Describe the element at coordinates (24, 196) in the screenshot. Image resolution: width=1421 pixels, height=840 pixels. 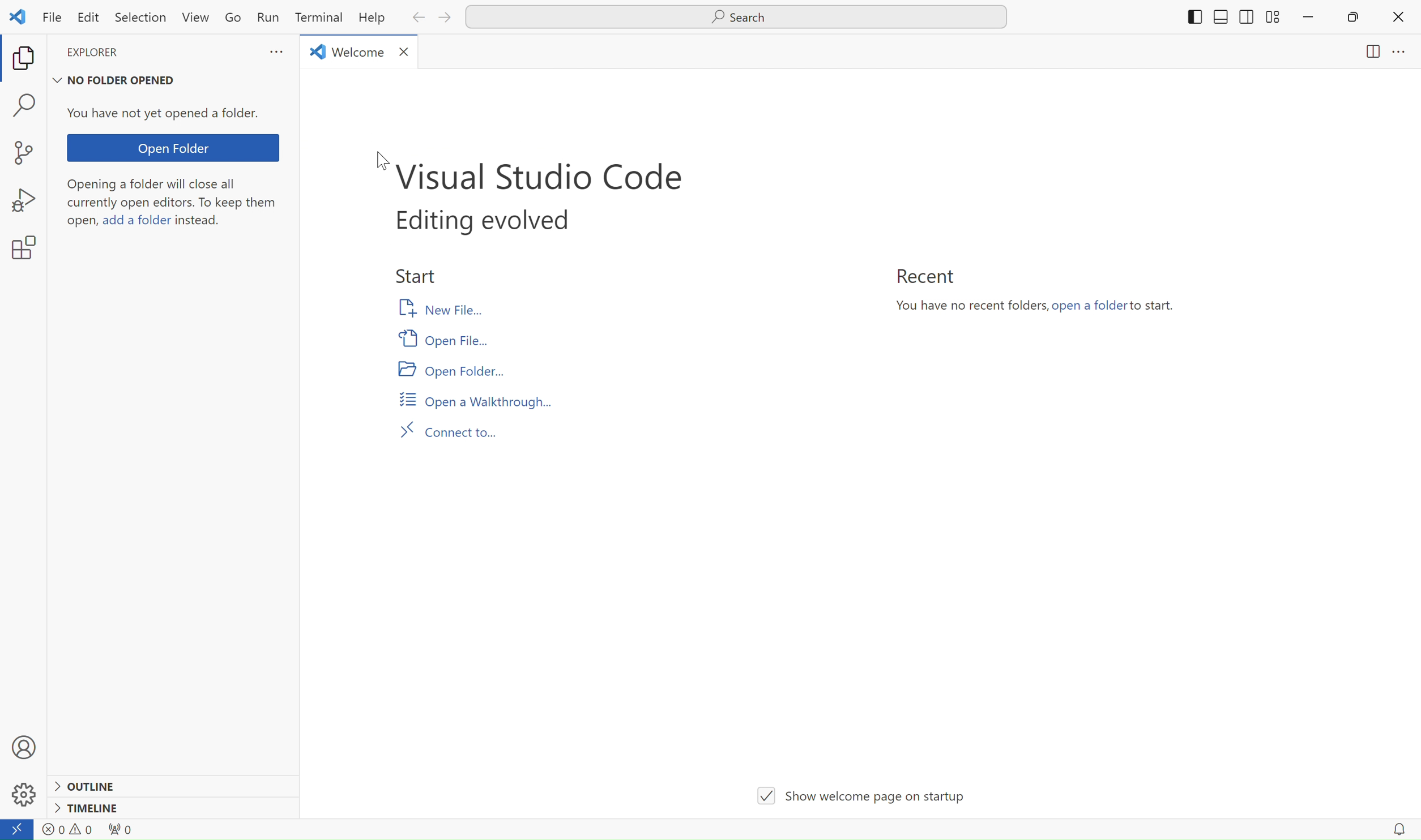
I see `bug` at that location.